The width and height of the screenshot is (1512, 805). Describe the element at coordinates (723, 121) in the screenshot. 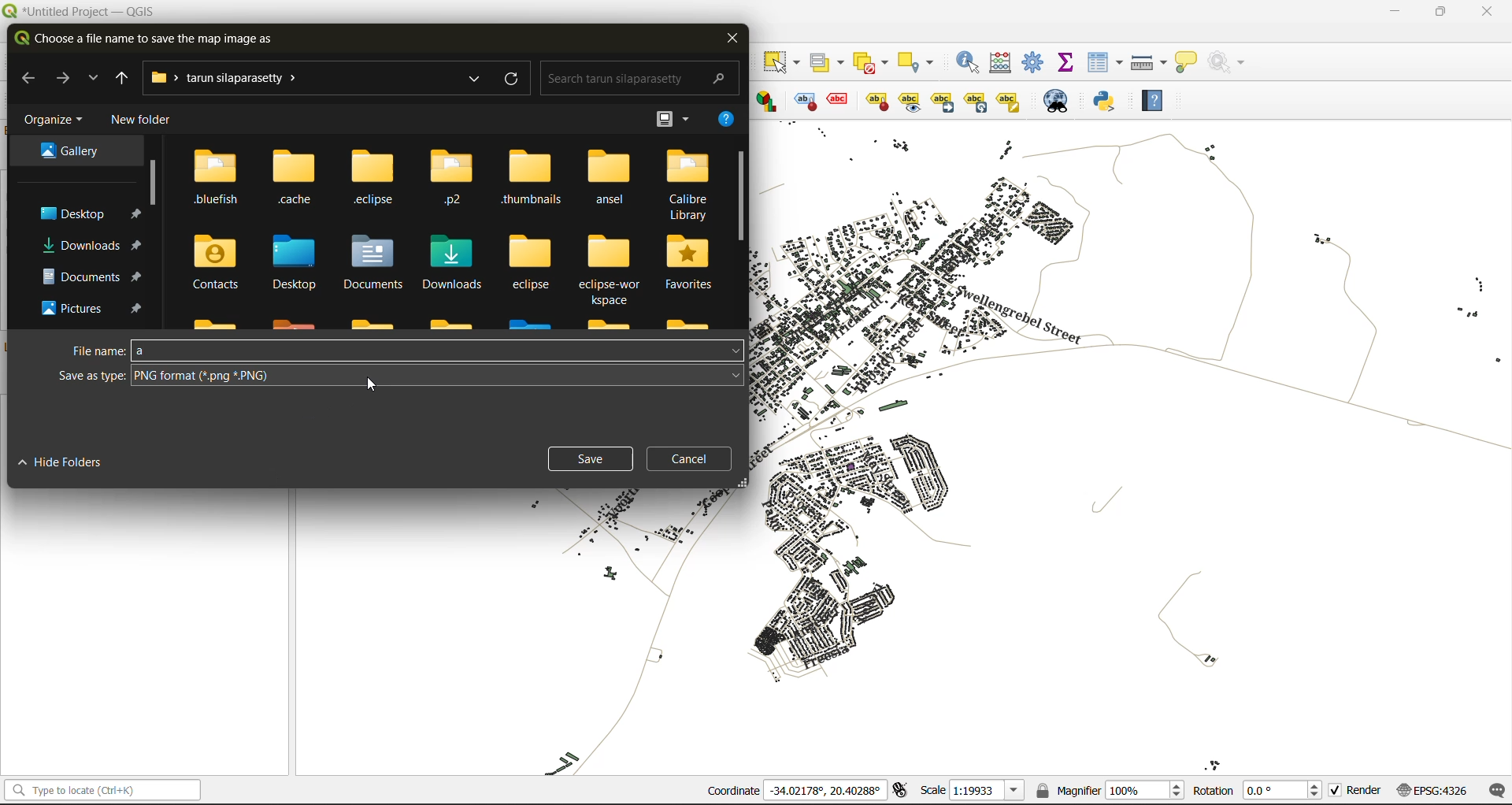

I see `help` at that location.